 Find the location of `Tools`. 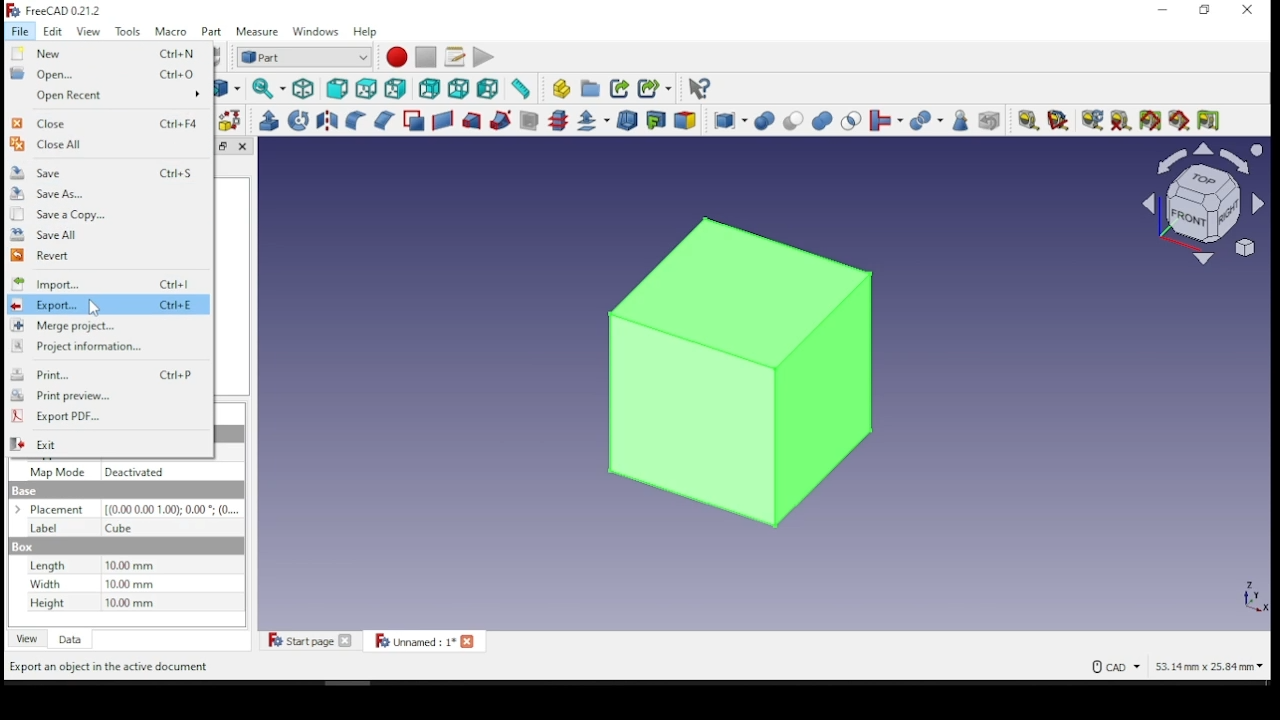

Tools is located at coordinates (127, 32).